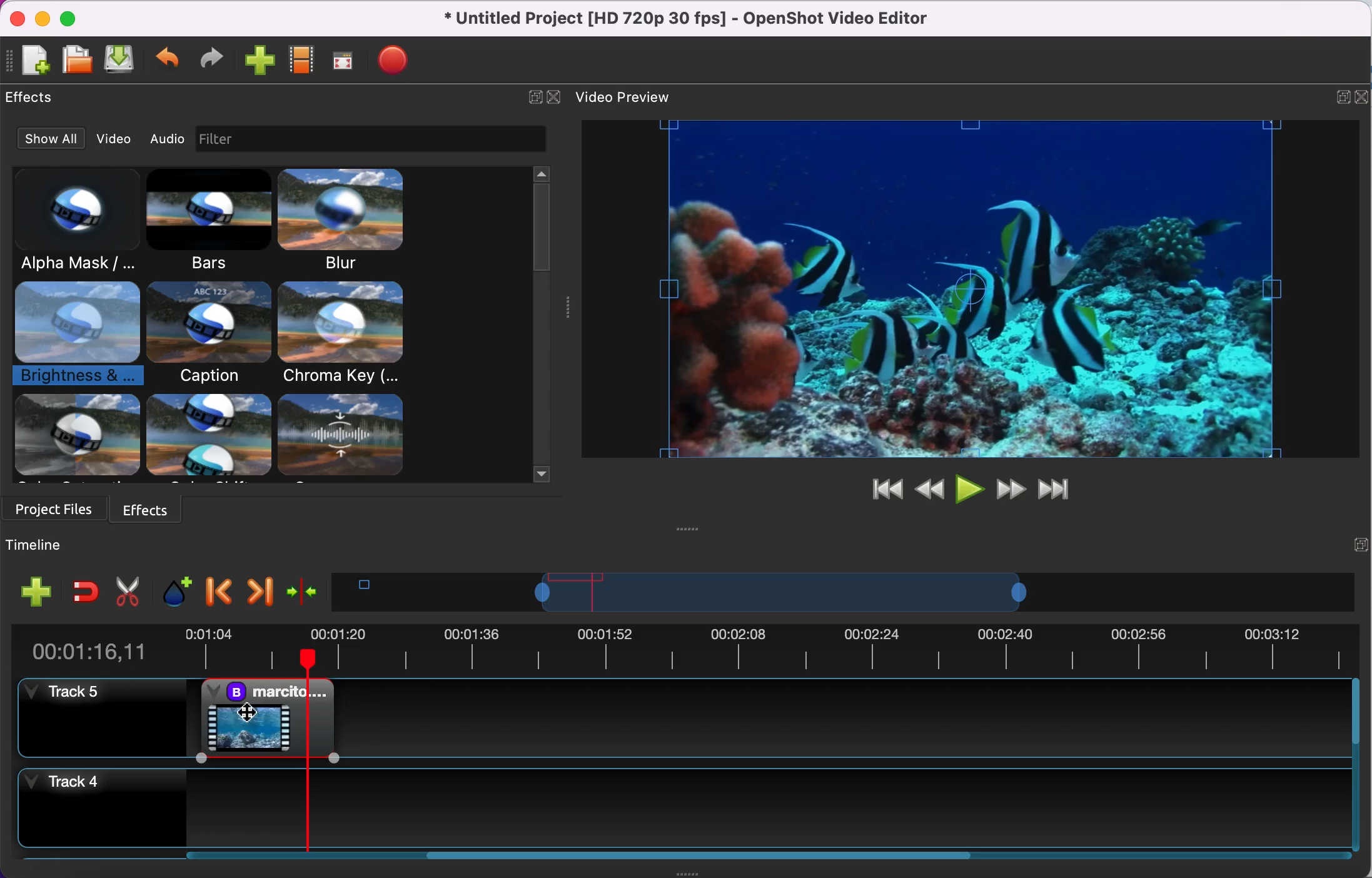 This screenshot has height=878, width=1372. Describe the element at coordinates (681, 648) in the screenshot. I see `duration` at that location.